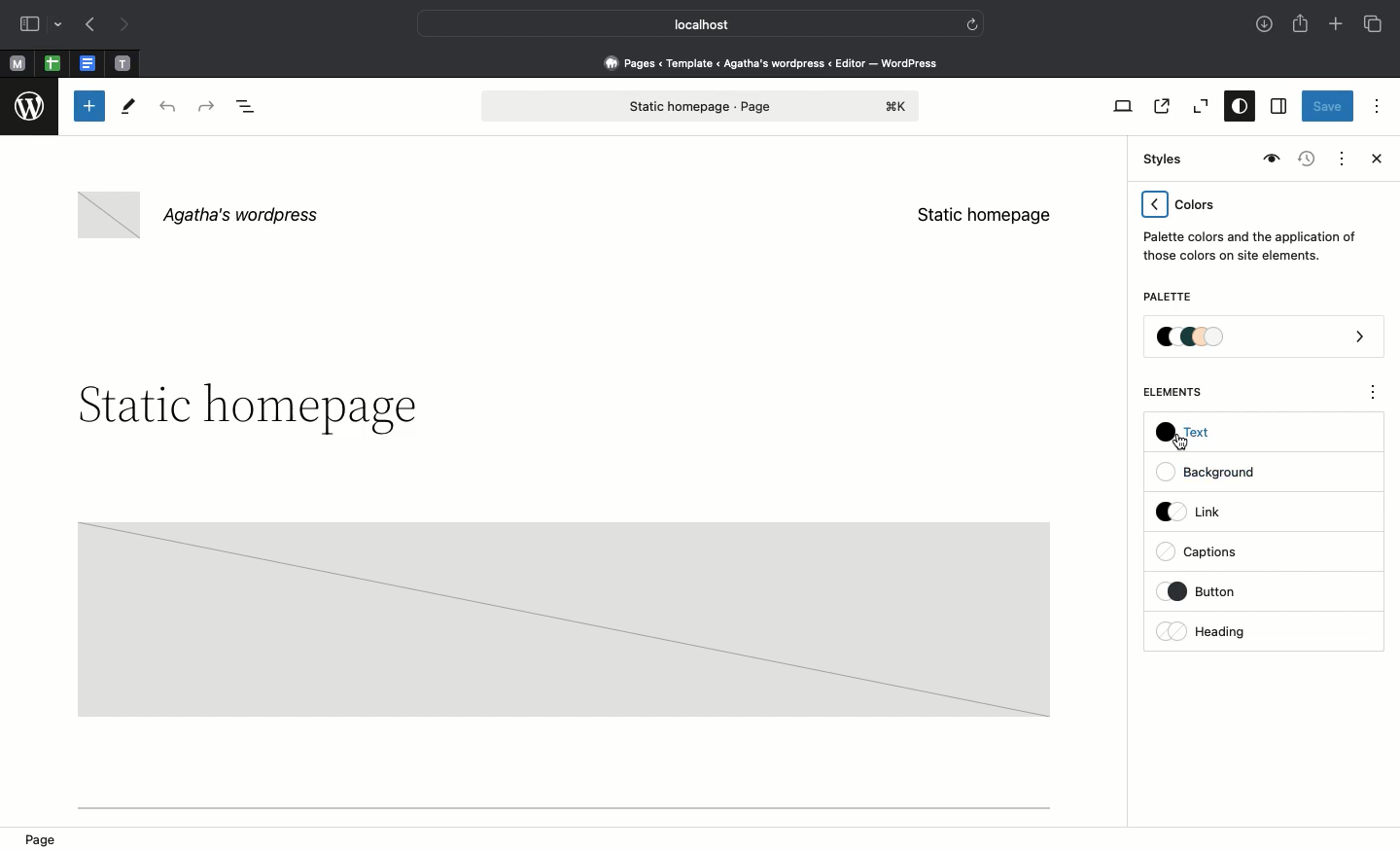 The height and width of the screenshot is (850, 1400). I want to click on Pinned tab, so click(52, 64).